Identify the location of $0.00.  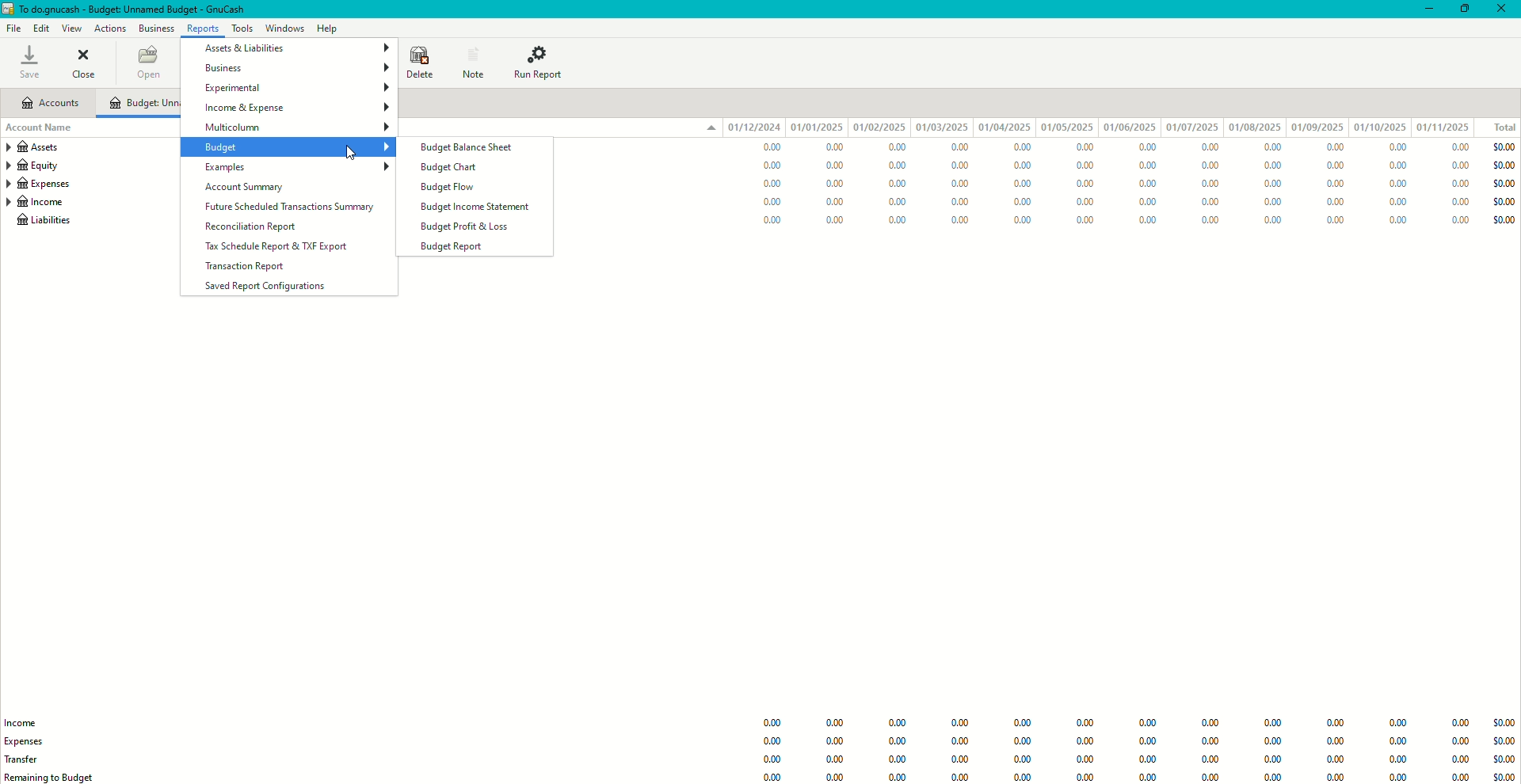
(1504, 219).